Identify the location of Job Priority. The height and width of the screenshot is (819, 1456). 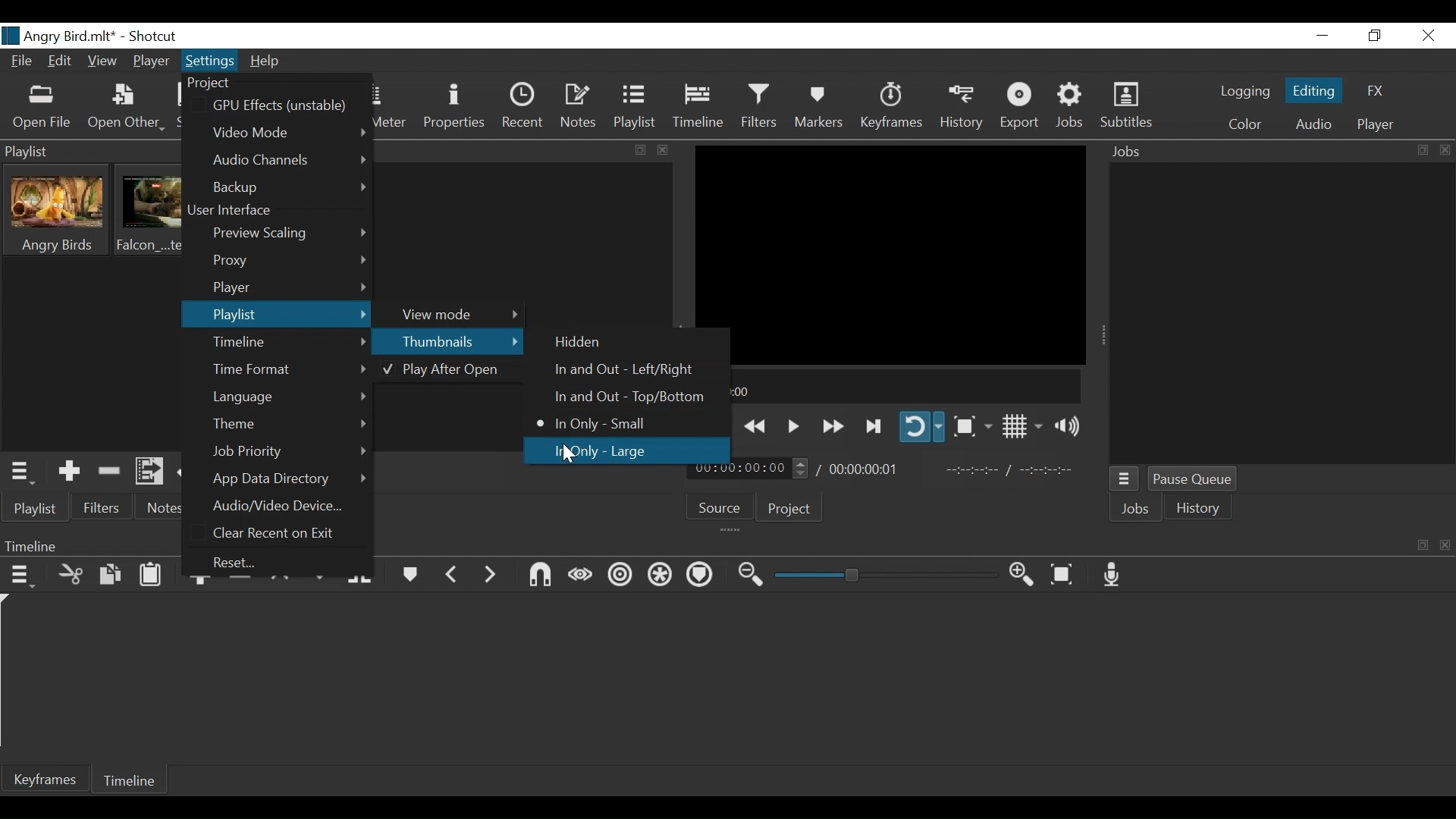
(289, 452).